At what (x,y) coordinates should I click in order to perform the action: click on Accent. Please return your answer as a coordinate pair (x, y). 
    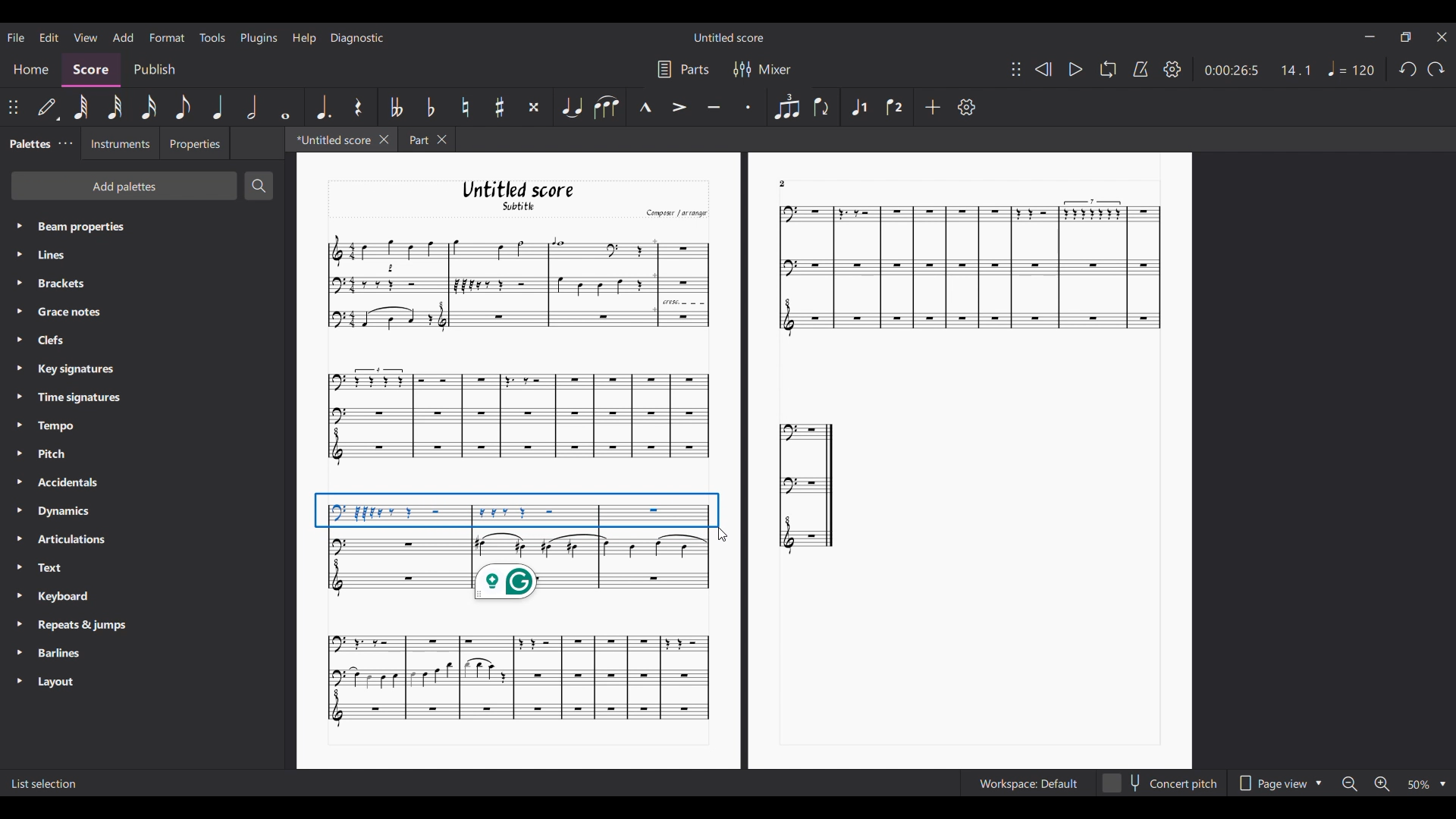
    Looking at the image, I should click on (679, 107).